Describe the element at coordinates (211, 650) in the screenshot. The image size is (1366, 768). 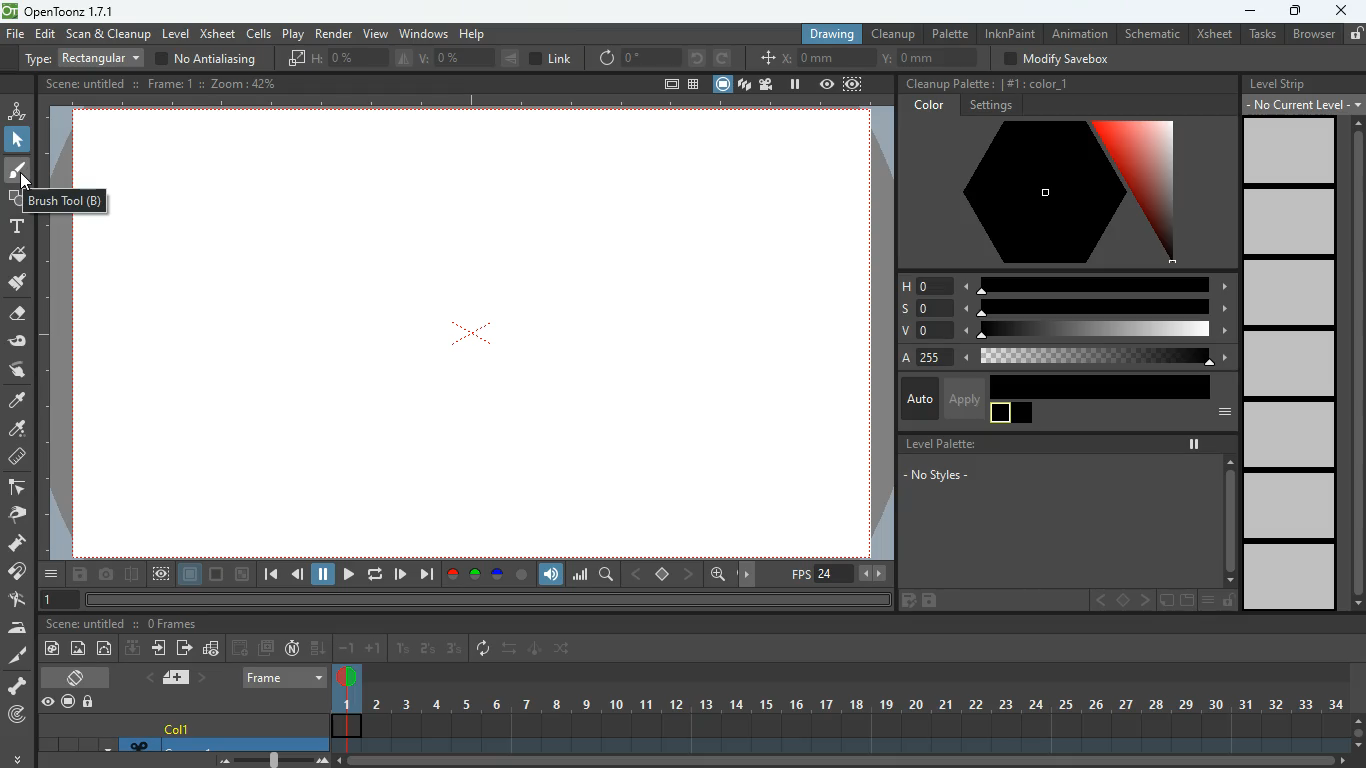
I see `graphic` at that location.